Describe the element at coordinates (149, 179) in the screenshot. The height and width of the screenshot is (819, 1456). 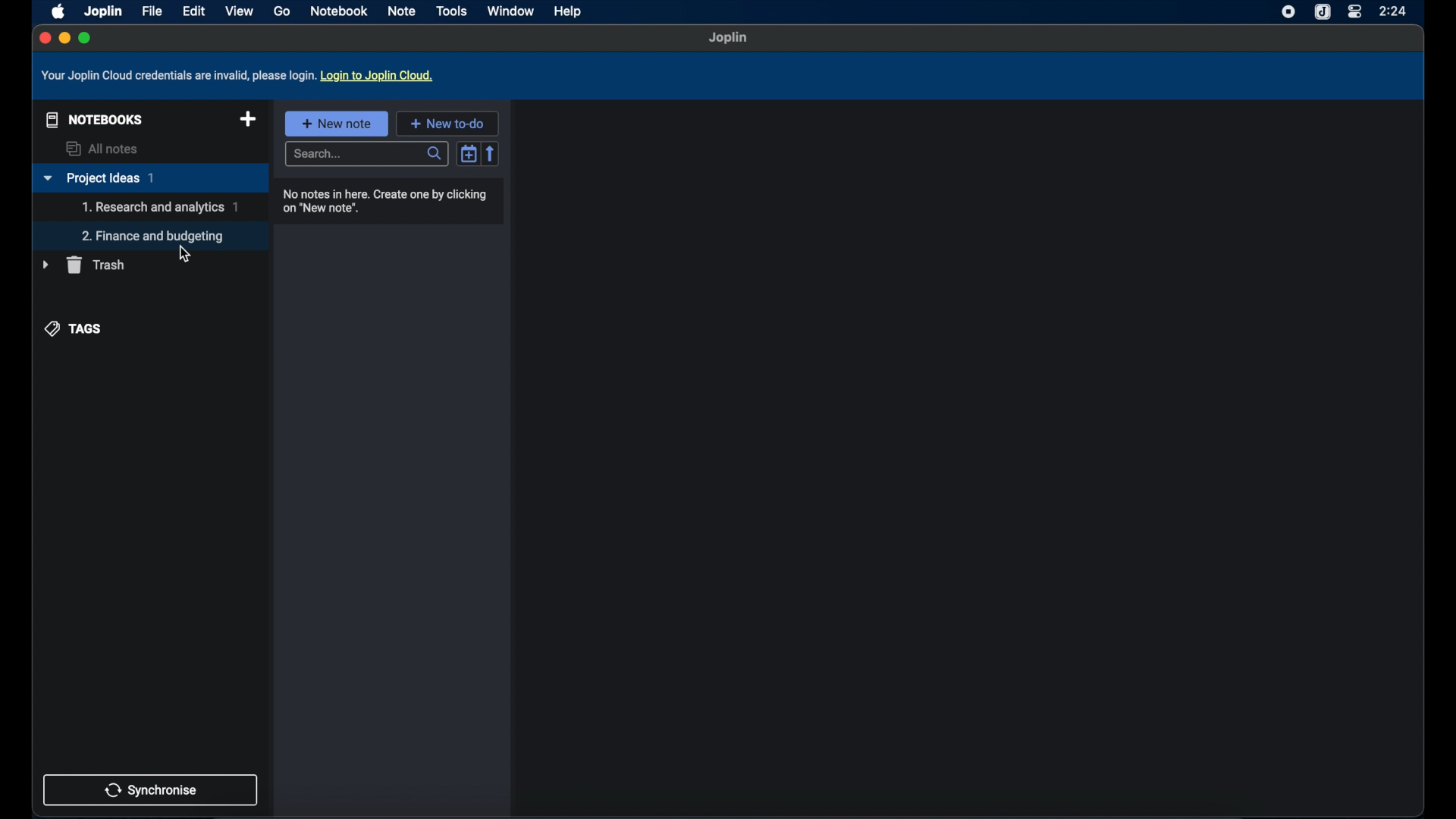
I see `project ideas 1` at that location.